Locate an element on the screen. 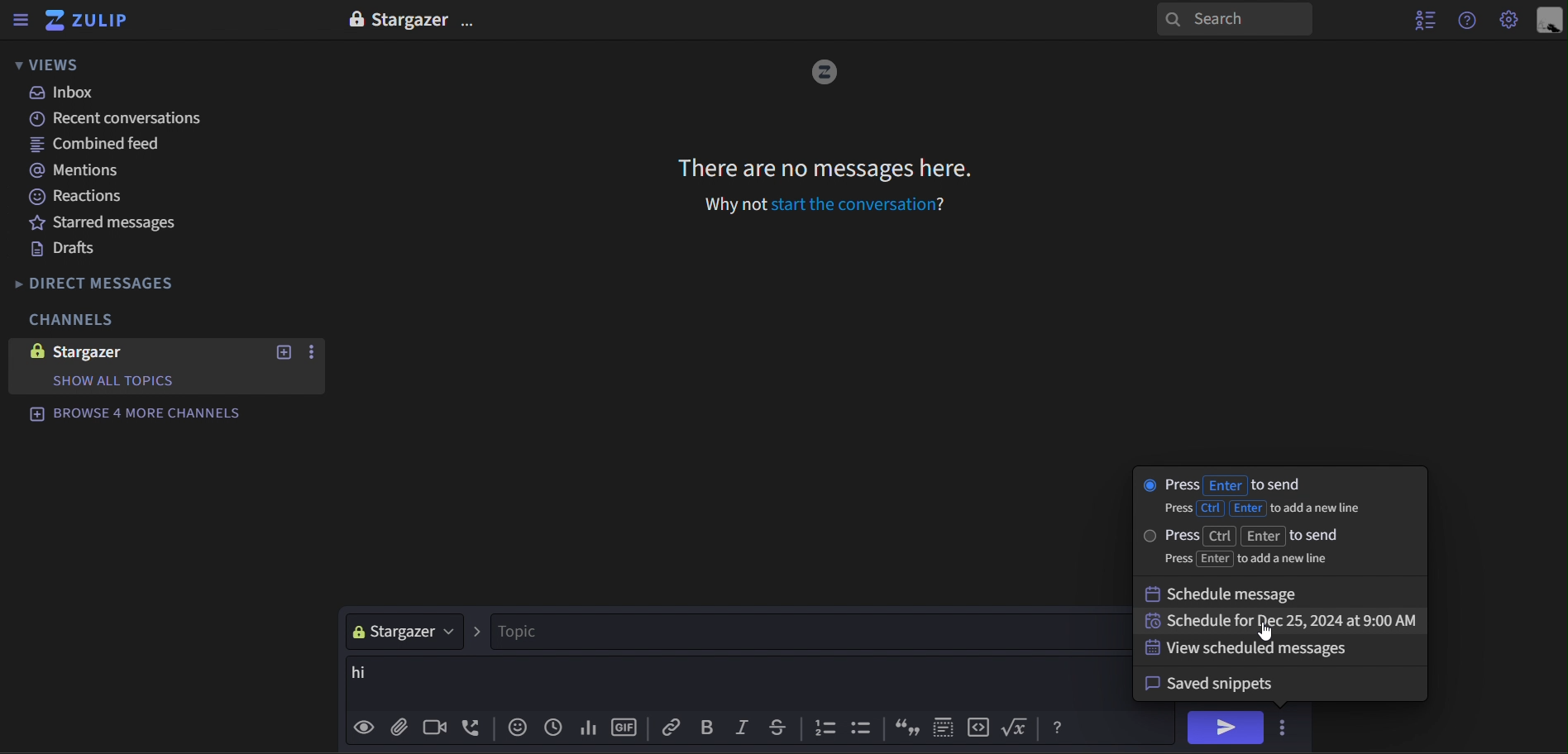 The width and height of the screenshot is (1568, 754). views is located at coordinates (60, 64).